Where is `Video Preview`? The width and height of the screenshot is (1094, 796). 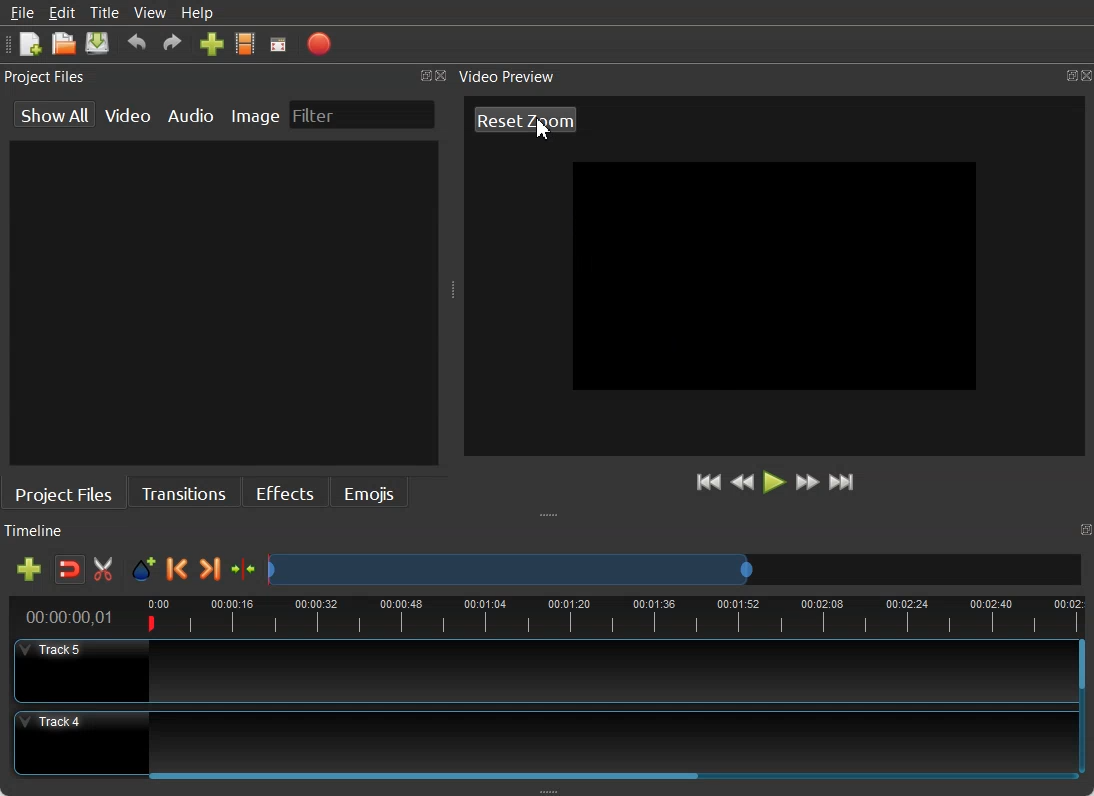 Video Preview is located at coordinates (508, 76).